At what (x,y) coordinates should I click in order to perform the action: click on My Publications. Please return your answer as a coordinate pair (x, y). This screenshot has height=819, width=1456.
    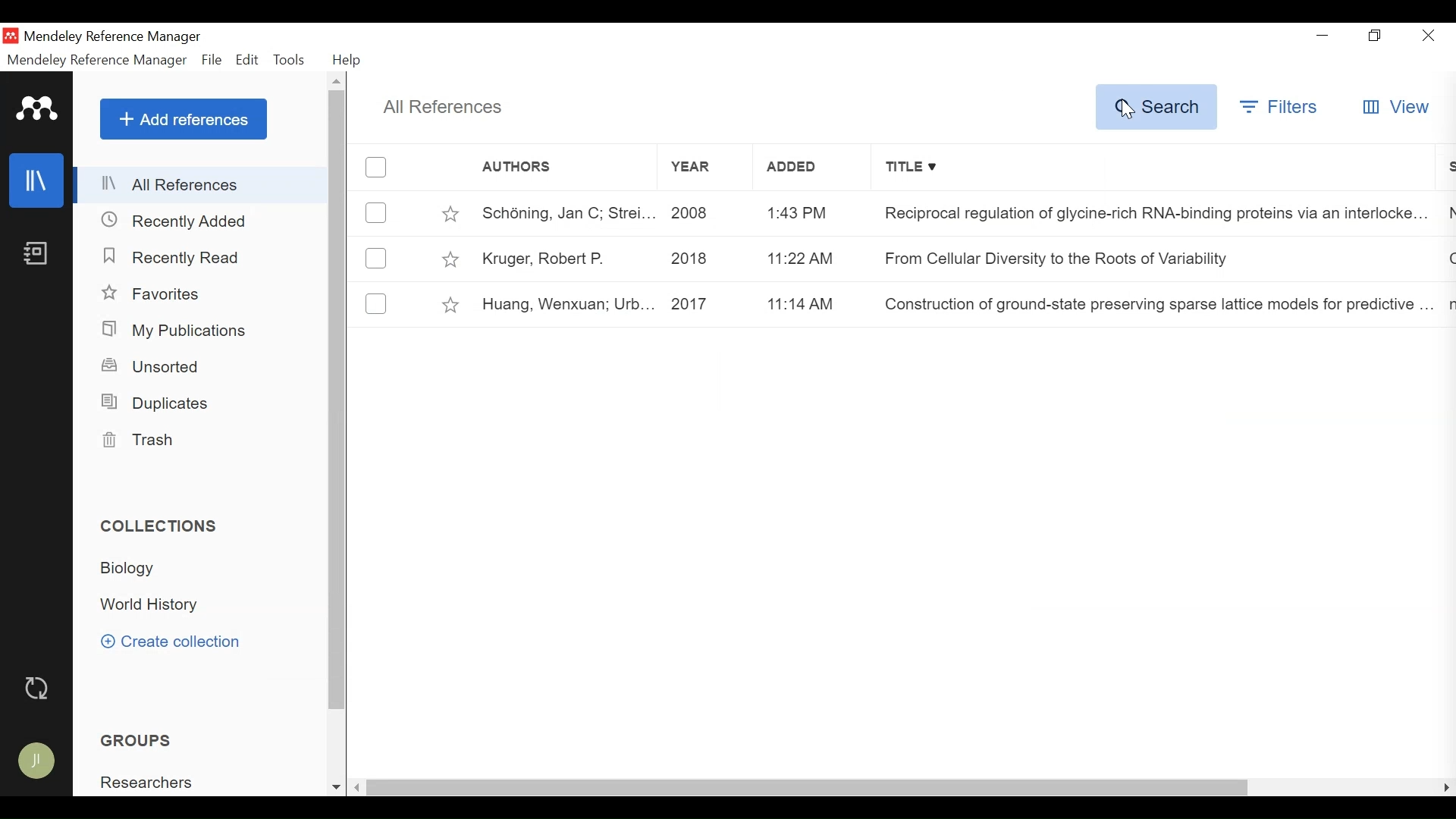
    Looking at the image, I should click on (177, 331).